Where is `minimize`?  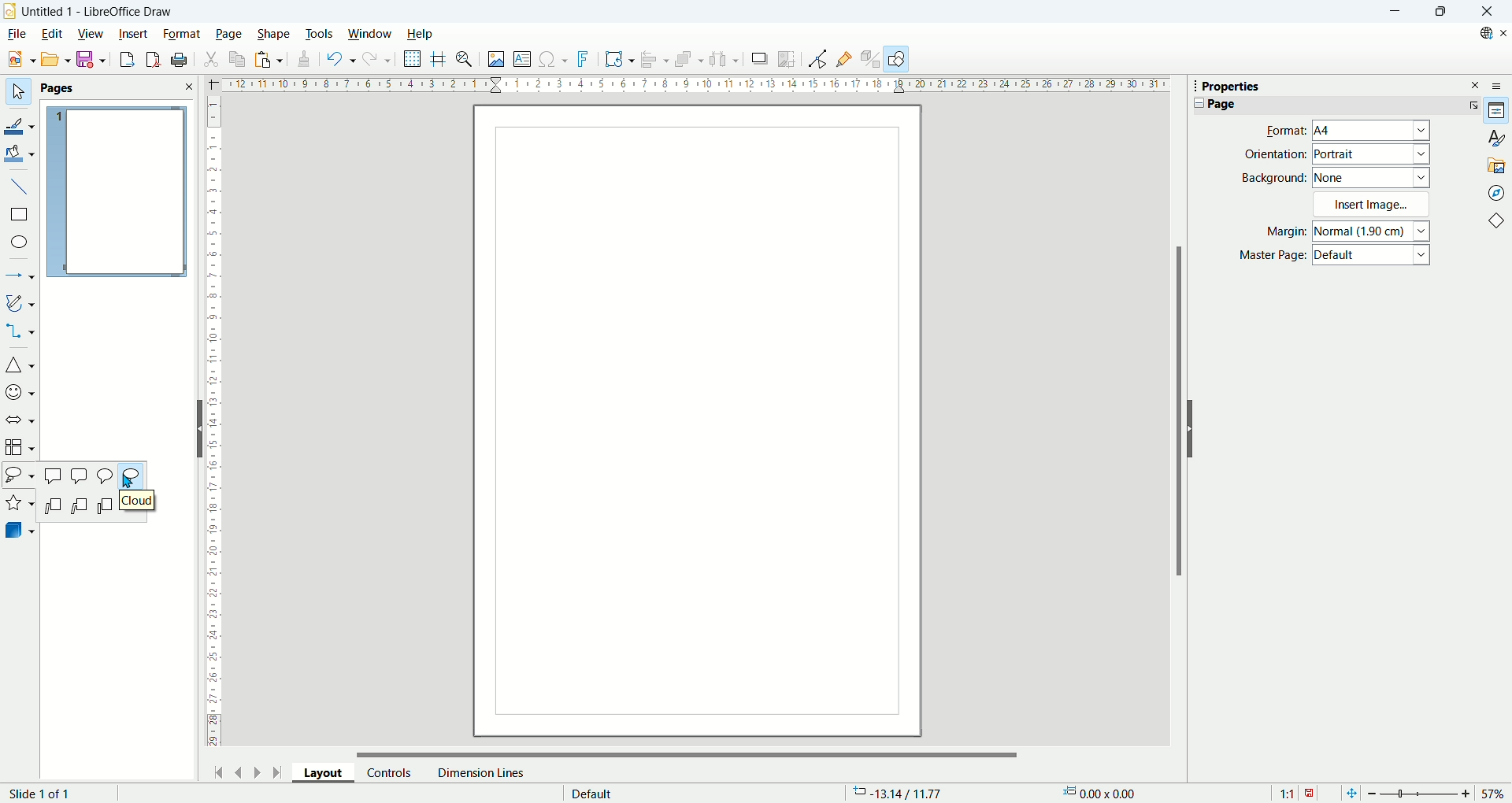
minimize is located at coordinates (1393, 12).